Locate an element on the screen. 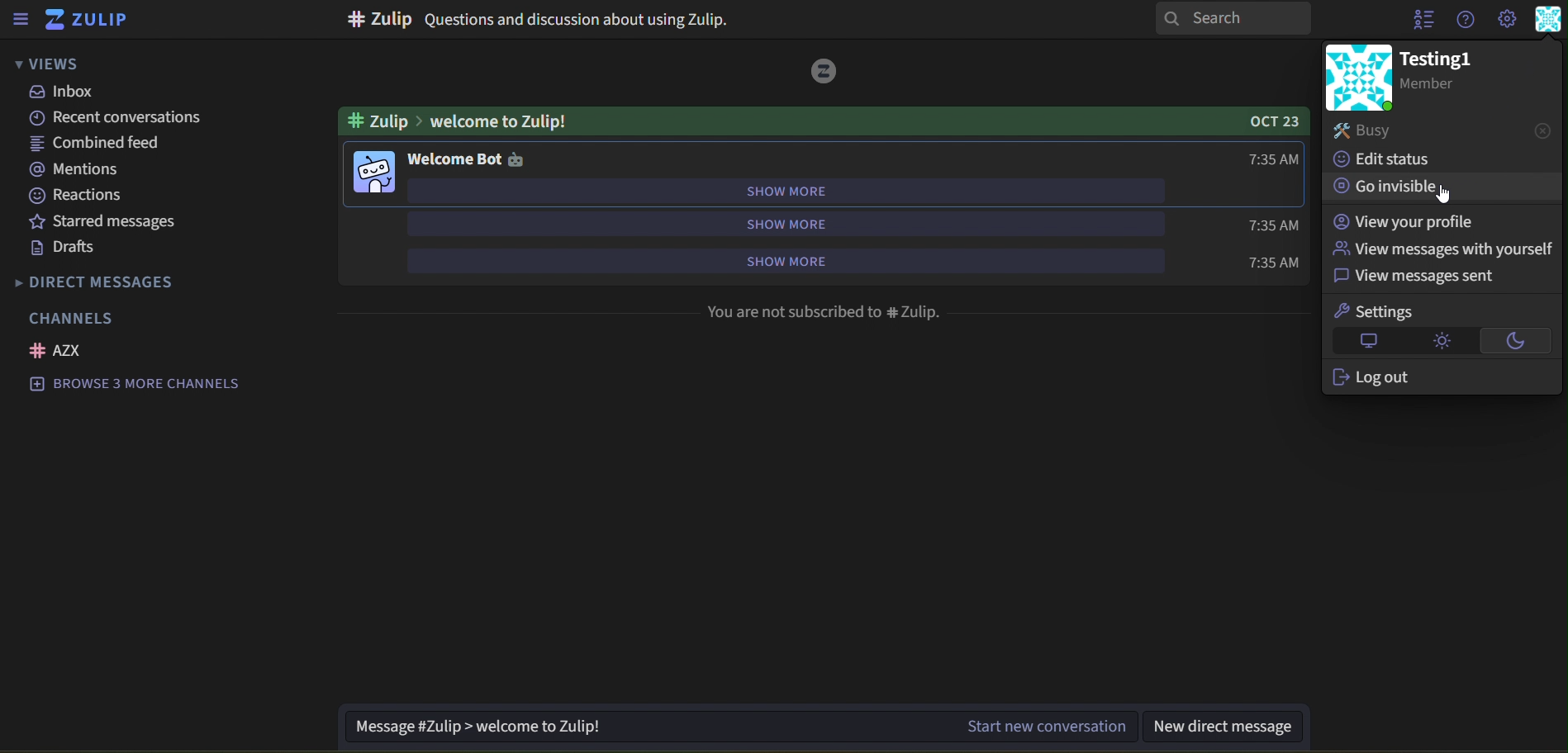 This screenshot has width=1568, height=753. Cursor is located at coordinates (1442, 194).